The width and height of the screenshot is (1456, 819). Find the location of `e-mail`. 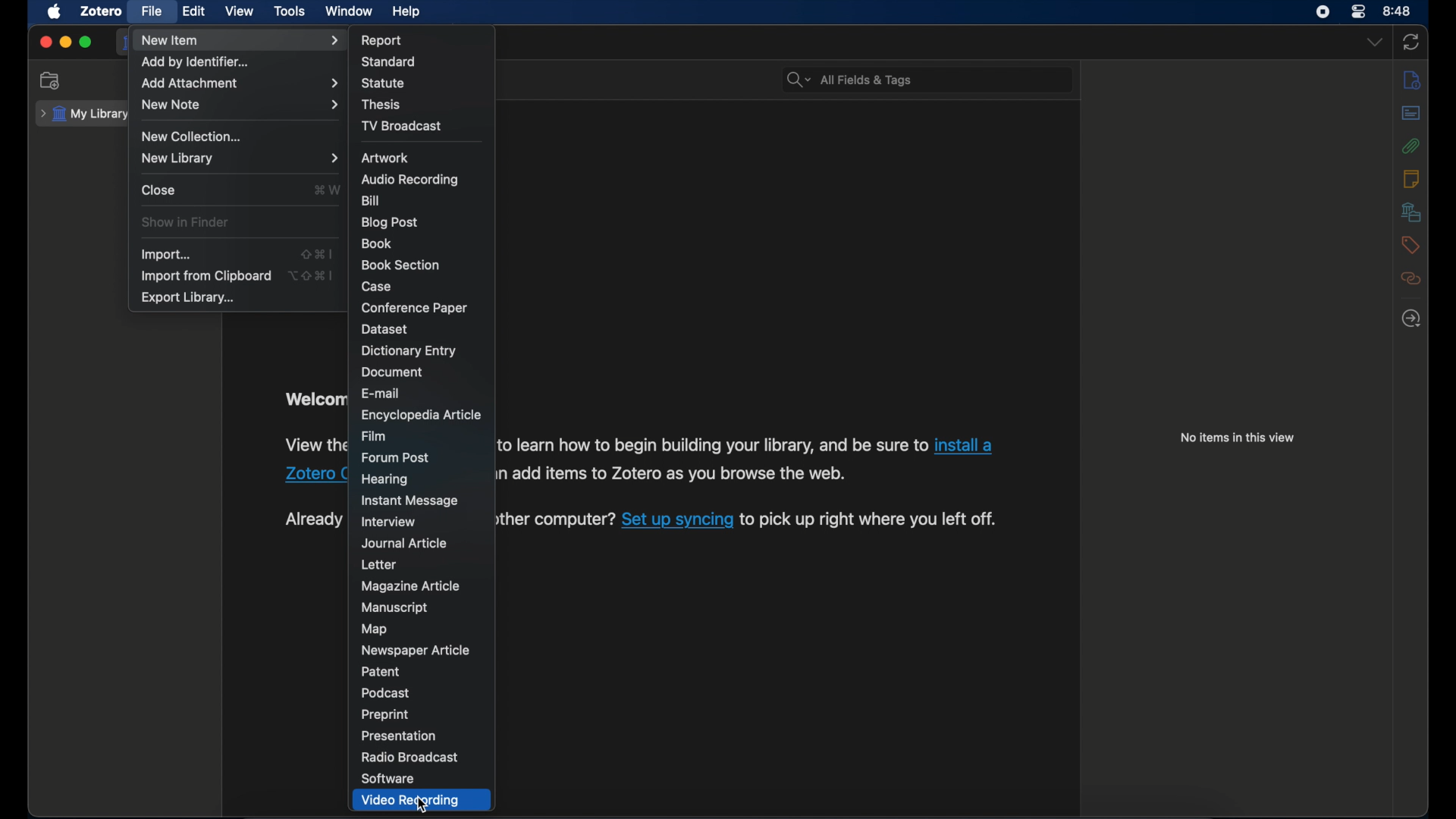

e-mail is located at coordinates (381, 392).